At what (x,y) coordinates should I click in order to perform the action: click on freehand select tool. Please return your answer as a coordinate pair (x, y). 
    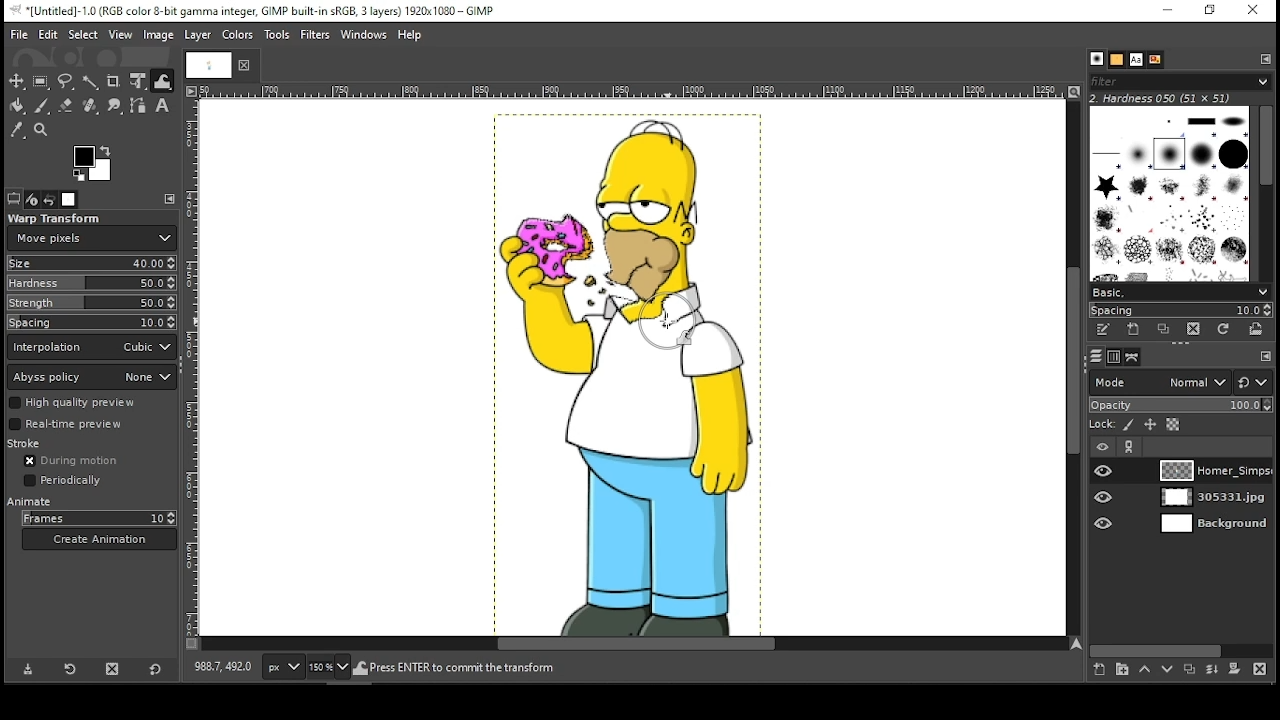
    Looking at the image, I should click on (65, 81).